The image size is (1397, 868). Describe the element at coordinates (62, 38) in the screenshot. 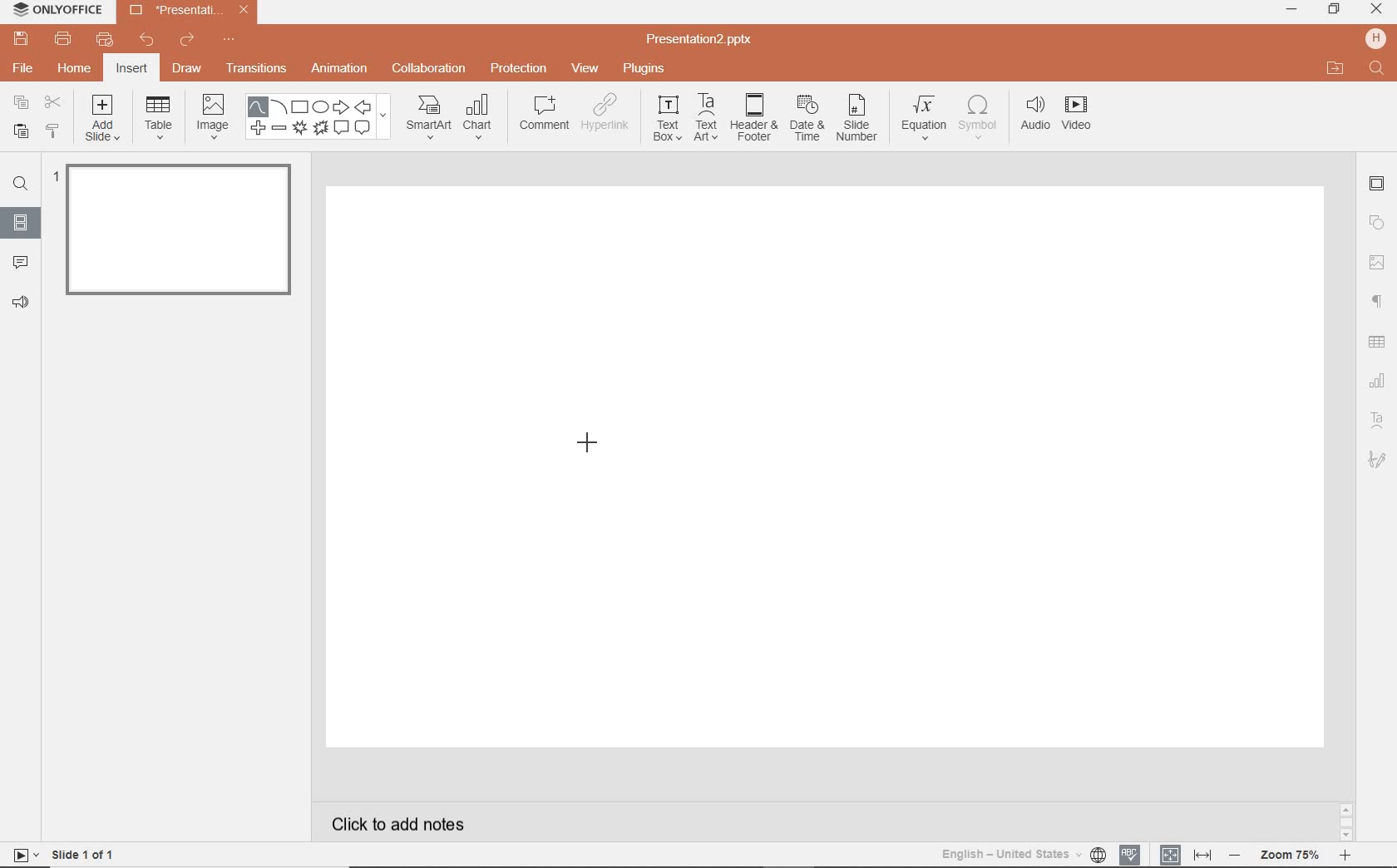

I see `PRINT` at that location.